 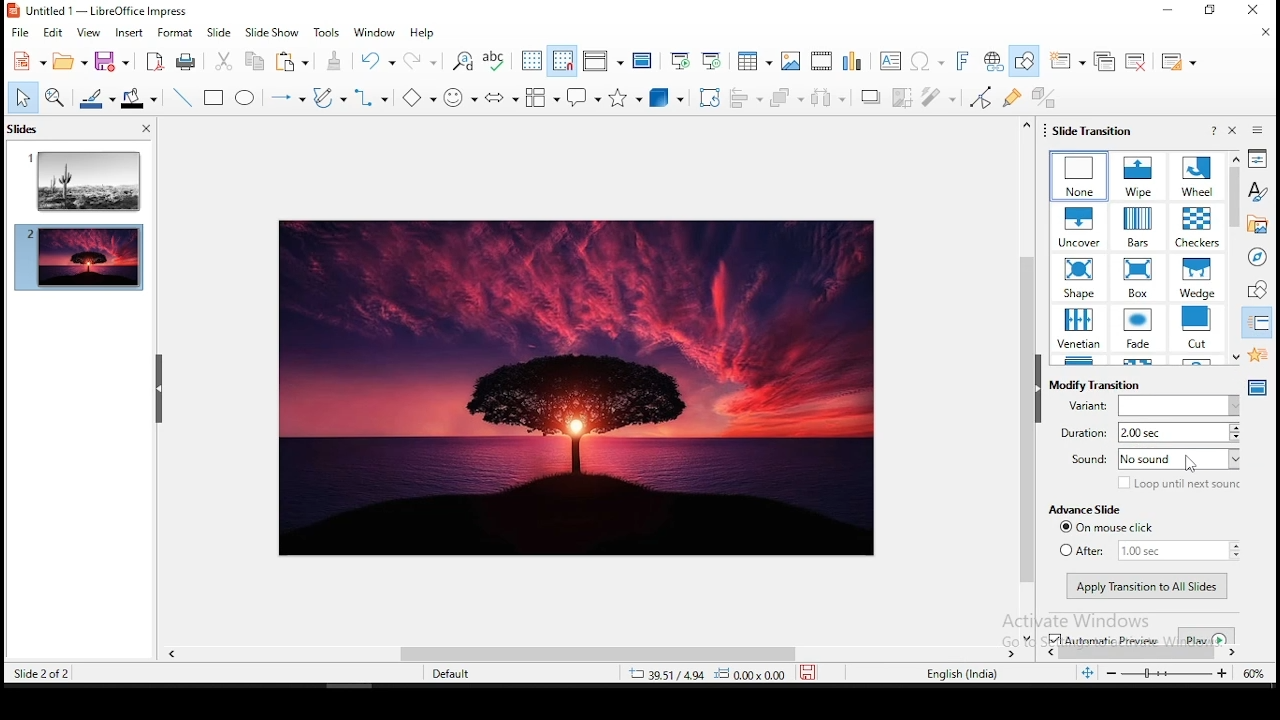 I want to click on insert, so click(x=128, y=32).